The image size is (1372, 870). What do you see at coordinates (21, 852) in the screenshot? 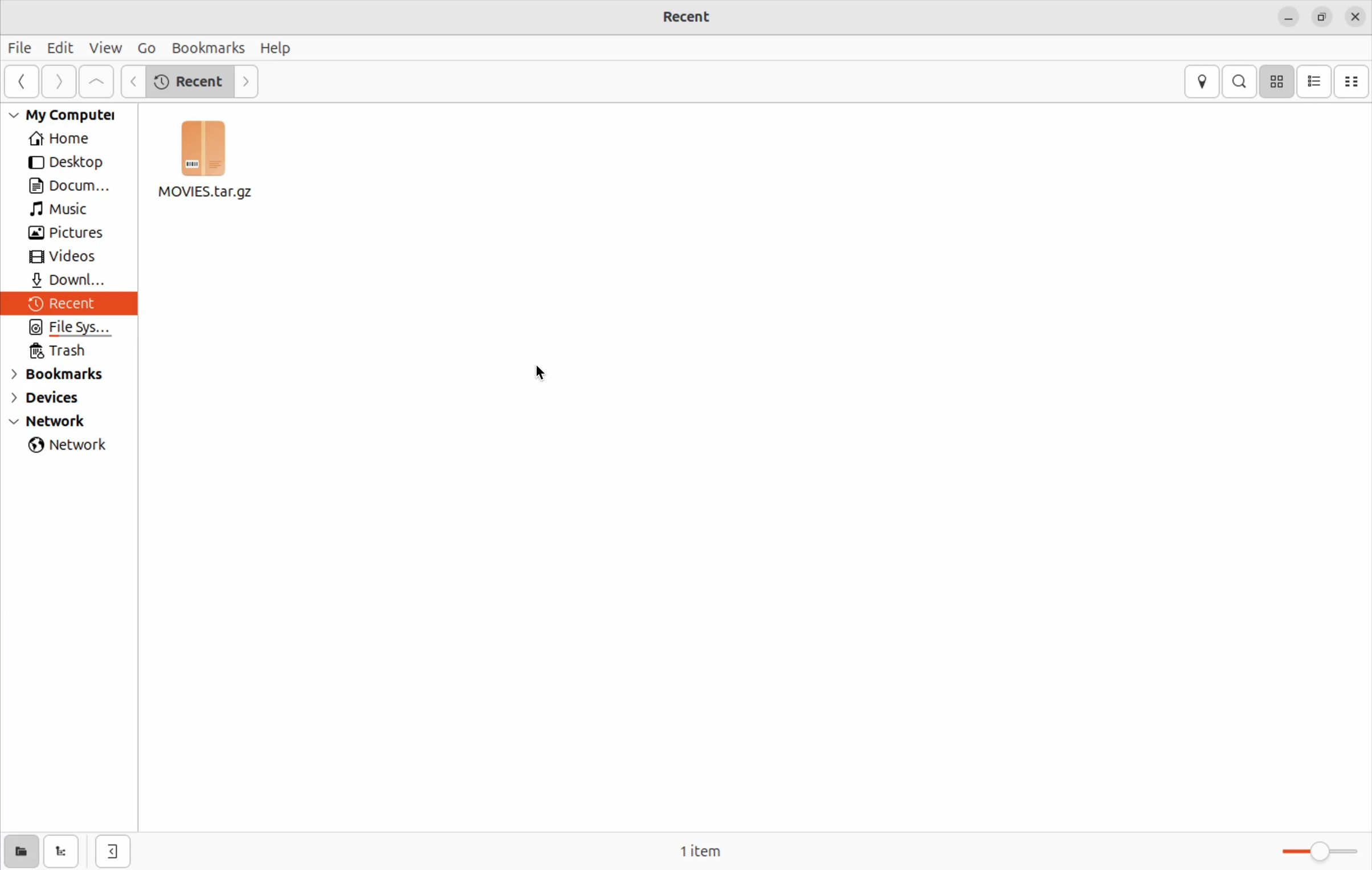
I see `show places` at bounding box center [21, 852].